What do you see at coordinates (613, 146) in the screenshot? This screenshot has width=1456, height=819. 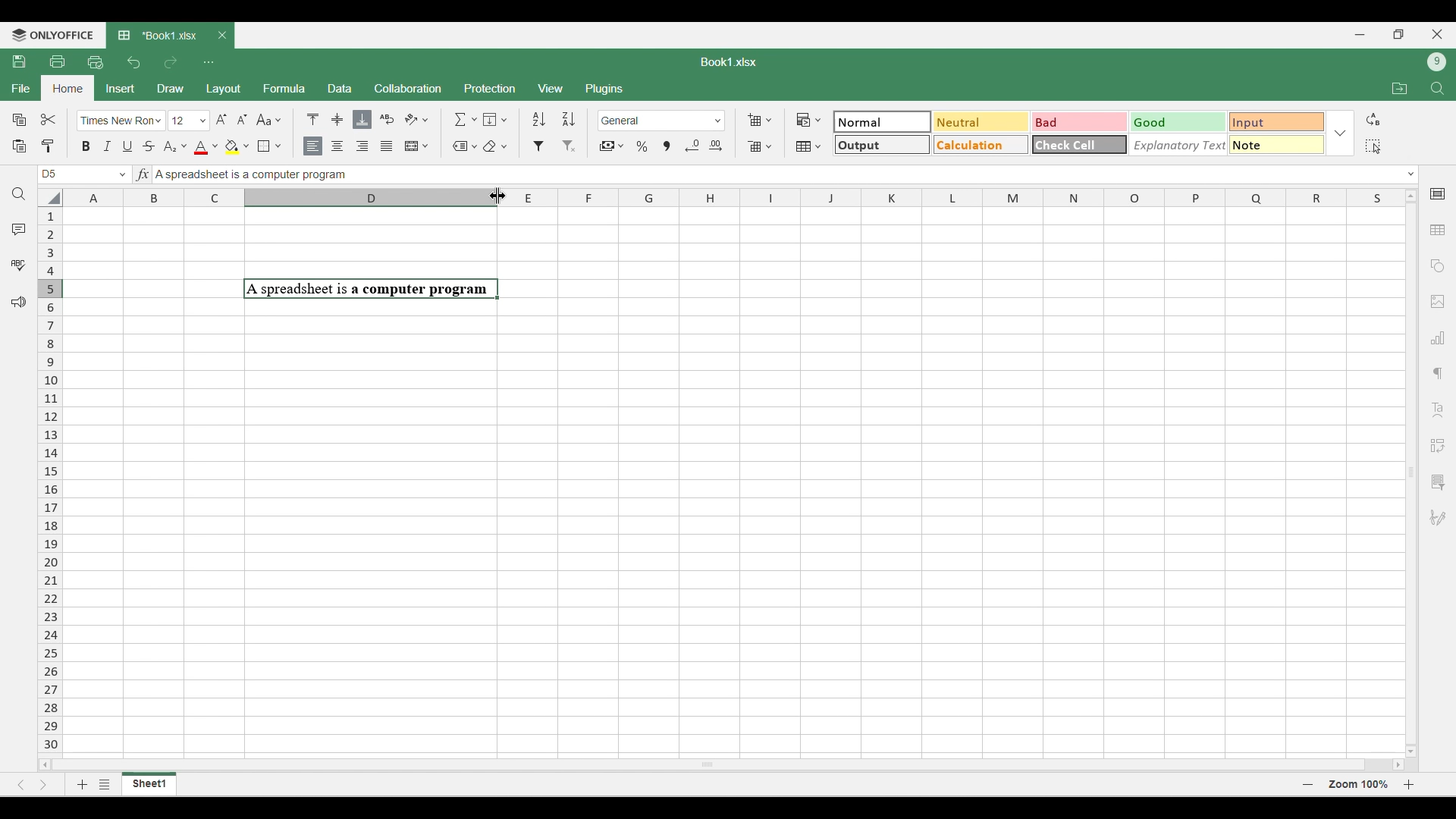 I see `Accounting style` at bounding box center [613, 146].